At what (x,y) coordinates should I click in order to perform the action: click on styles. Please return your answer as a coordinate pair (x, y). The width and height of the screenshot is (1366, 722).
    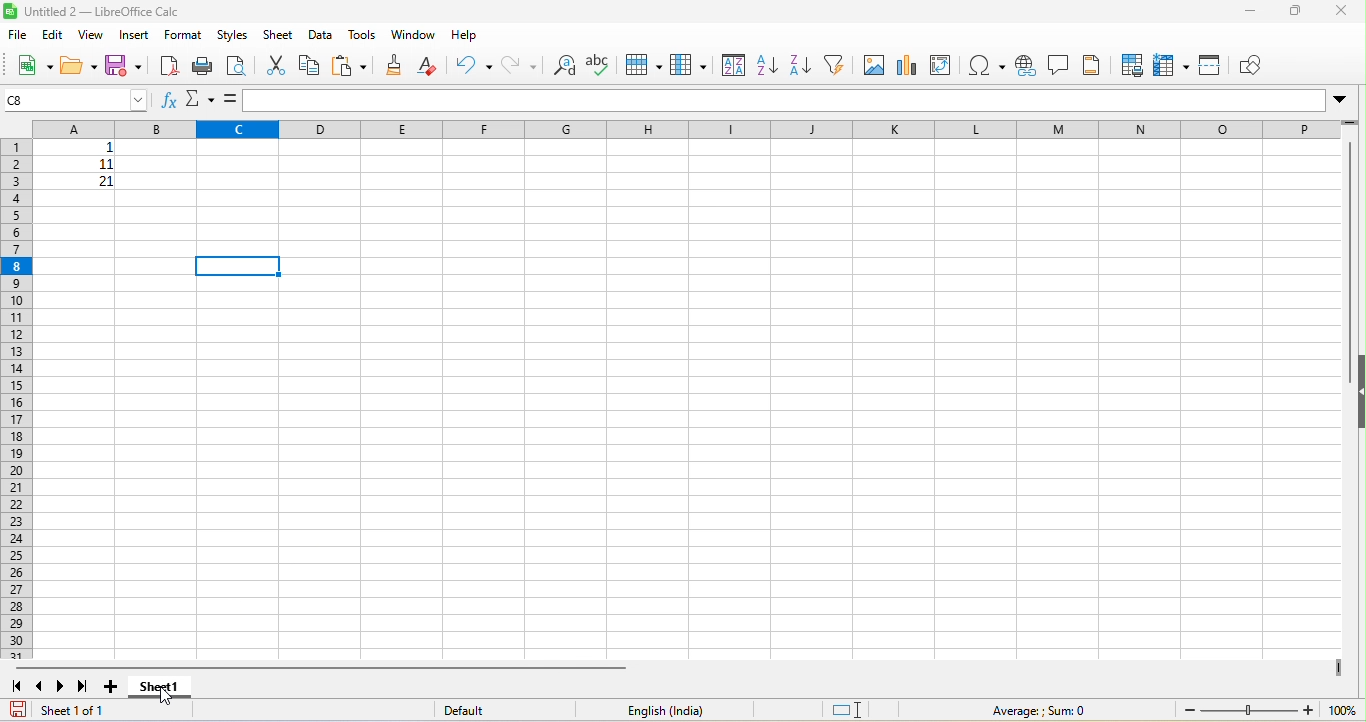
    Looking at the image, I should click on (233, 35).